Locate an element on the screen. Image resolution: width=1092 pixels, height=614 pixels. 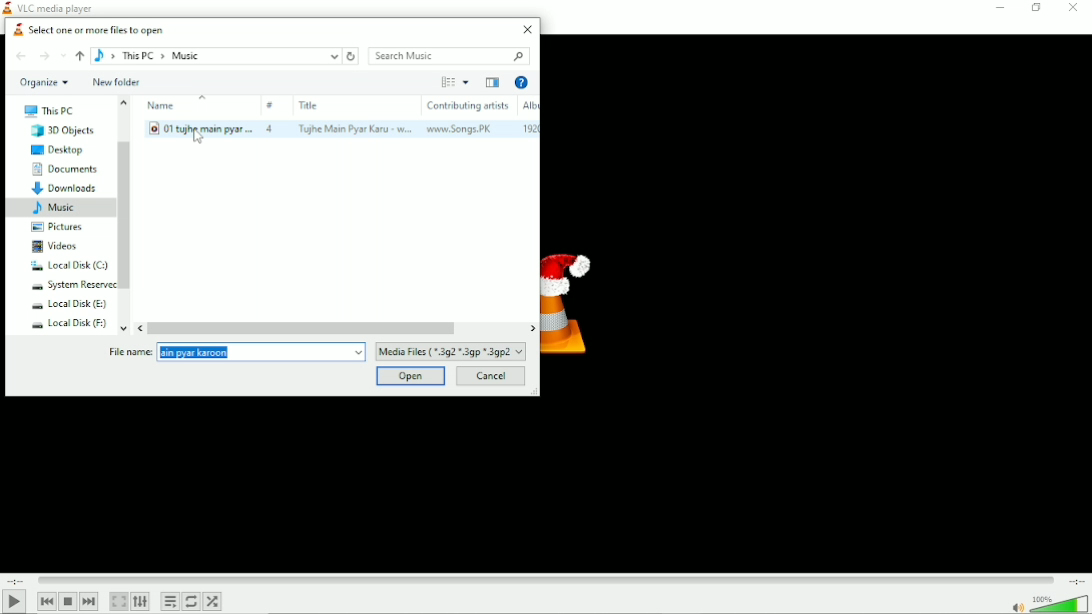
Location is located at coordinates (216, 56).